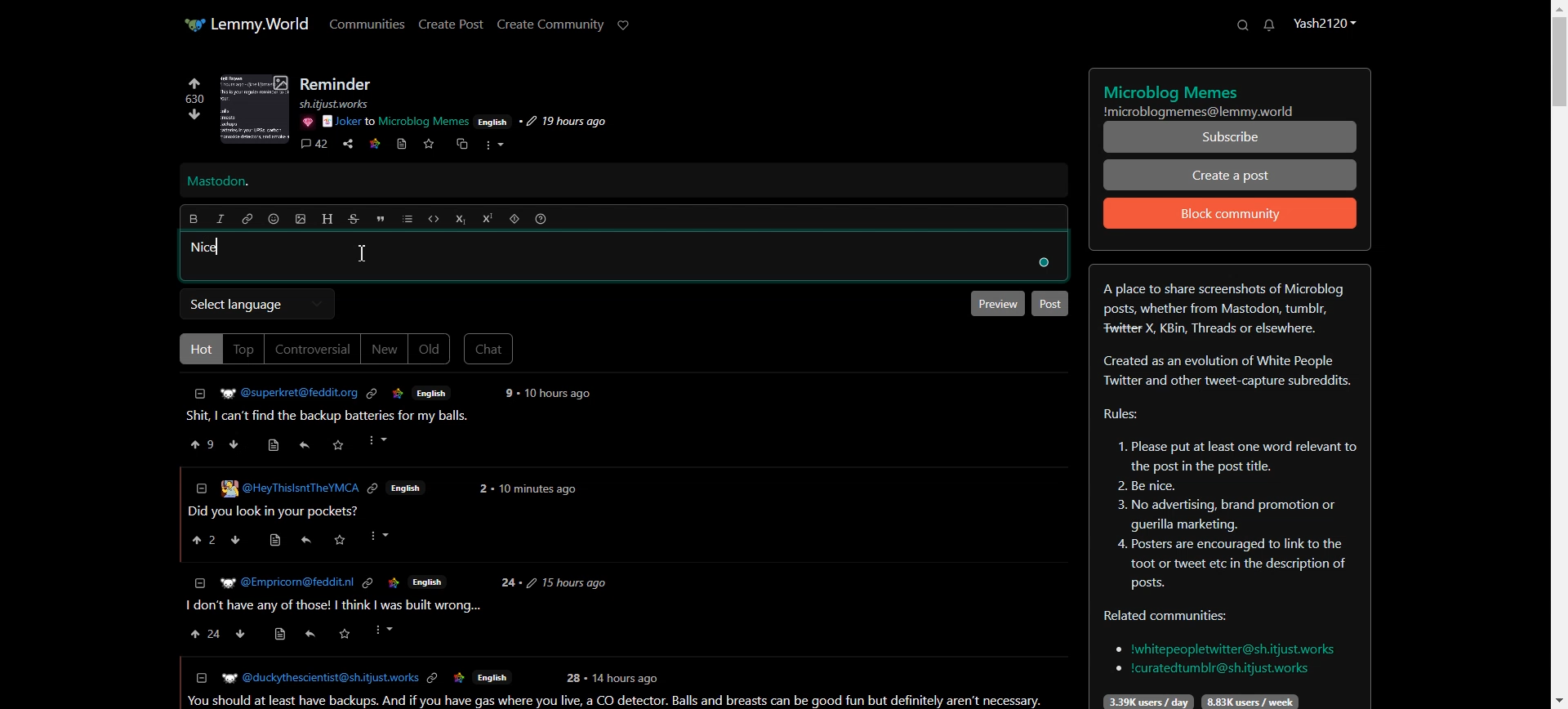 This screenshot has height=709, width=1568. What do you see at coordinates (1231, 213) in the screenshot?
I see `Block community` at bounding box center [1231, 213].